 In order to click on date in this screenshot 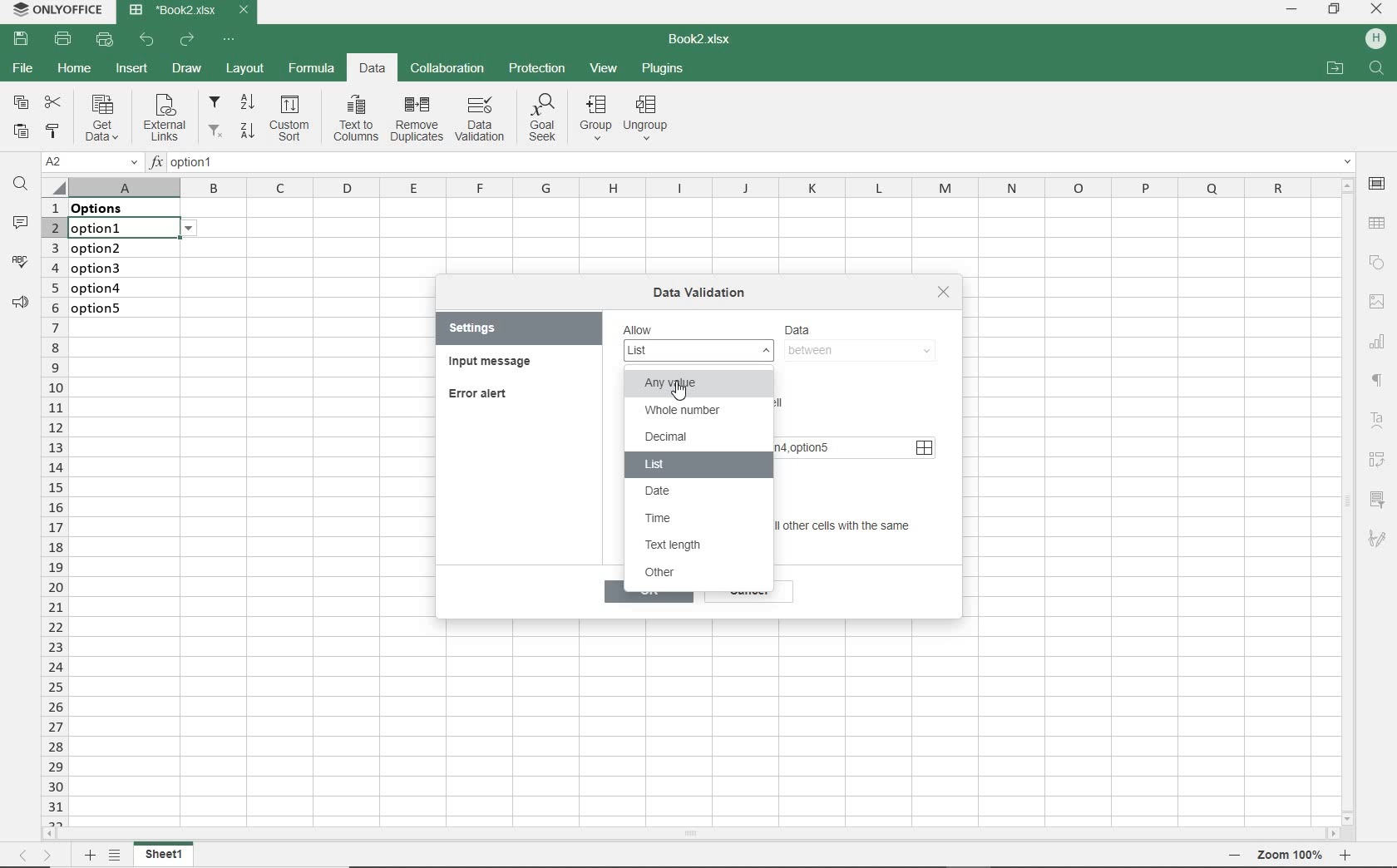, I will do `click(657, 491)`.